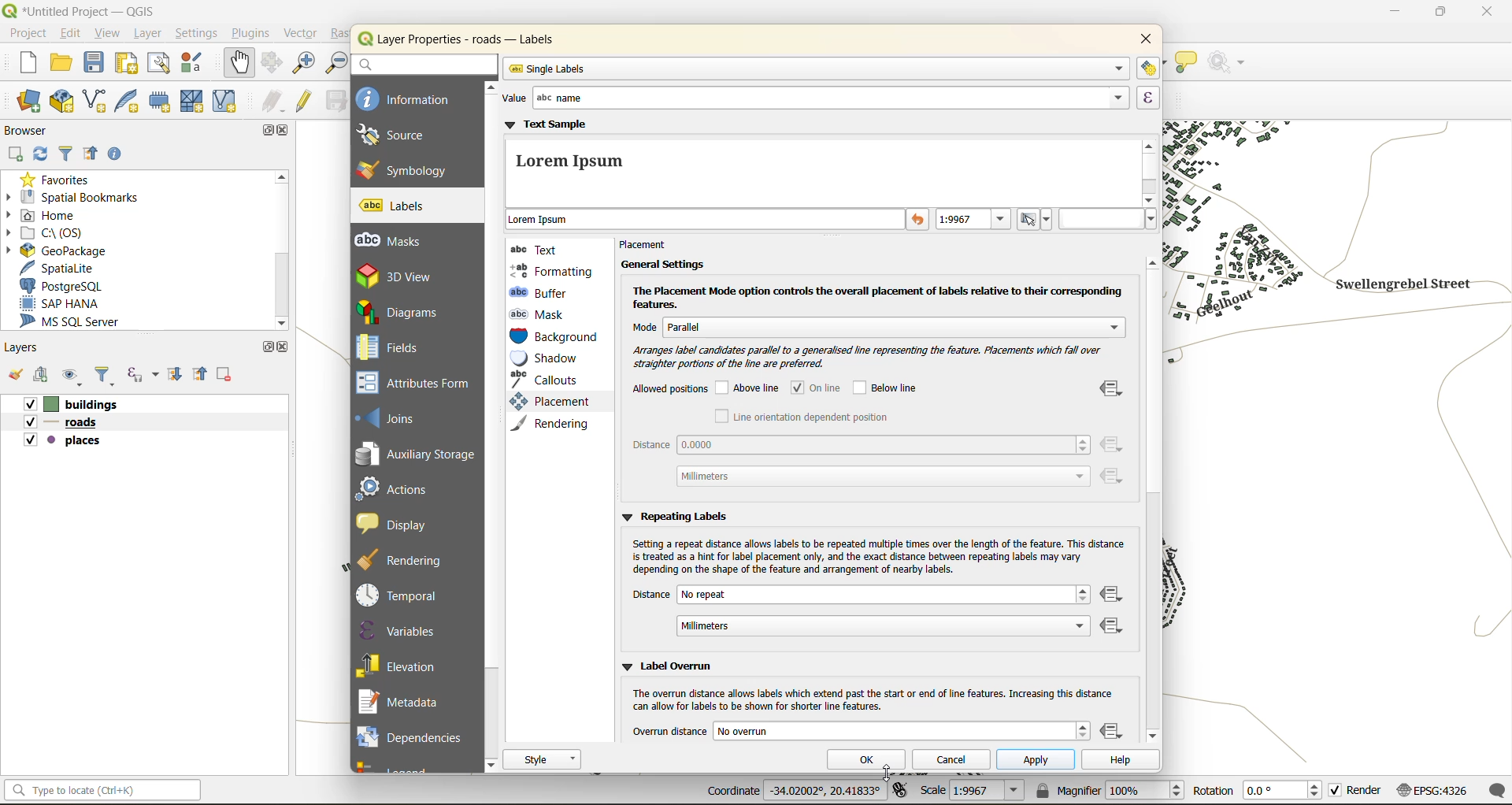 The width and height of the screenshot is (1512, 805). Describe the element at coordinates (105, 792) in the screenshot. I see `status bar` at that location.